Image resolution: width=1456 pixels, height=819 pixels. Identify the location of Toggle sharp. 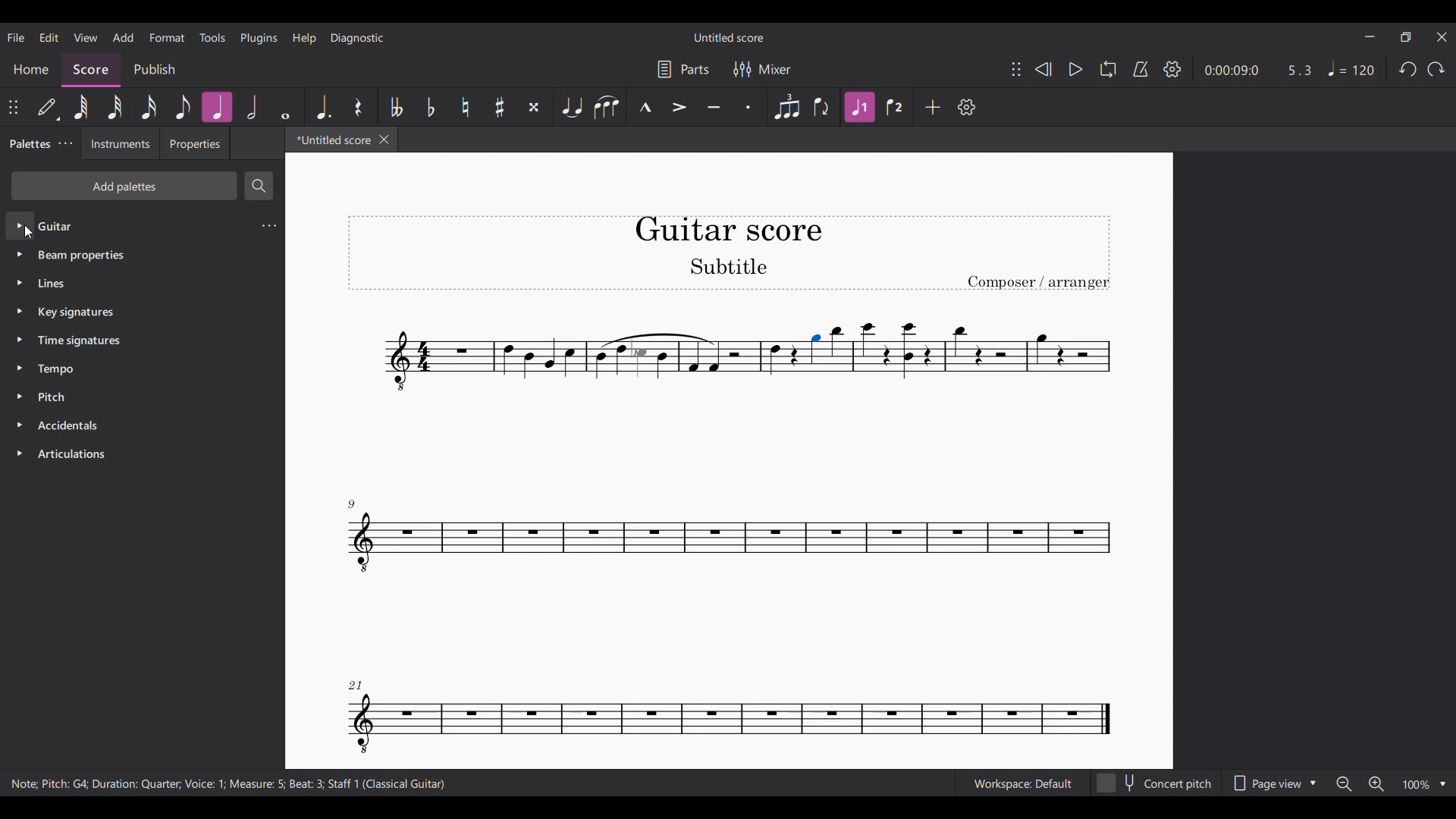
(500, 107).